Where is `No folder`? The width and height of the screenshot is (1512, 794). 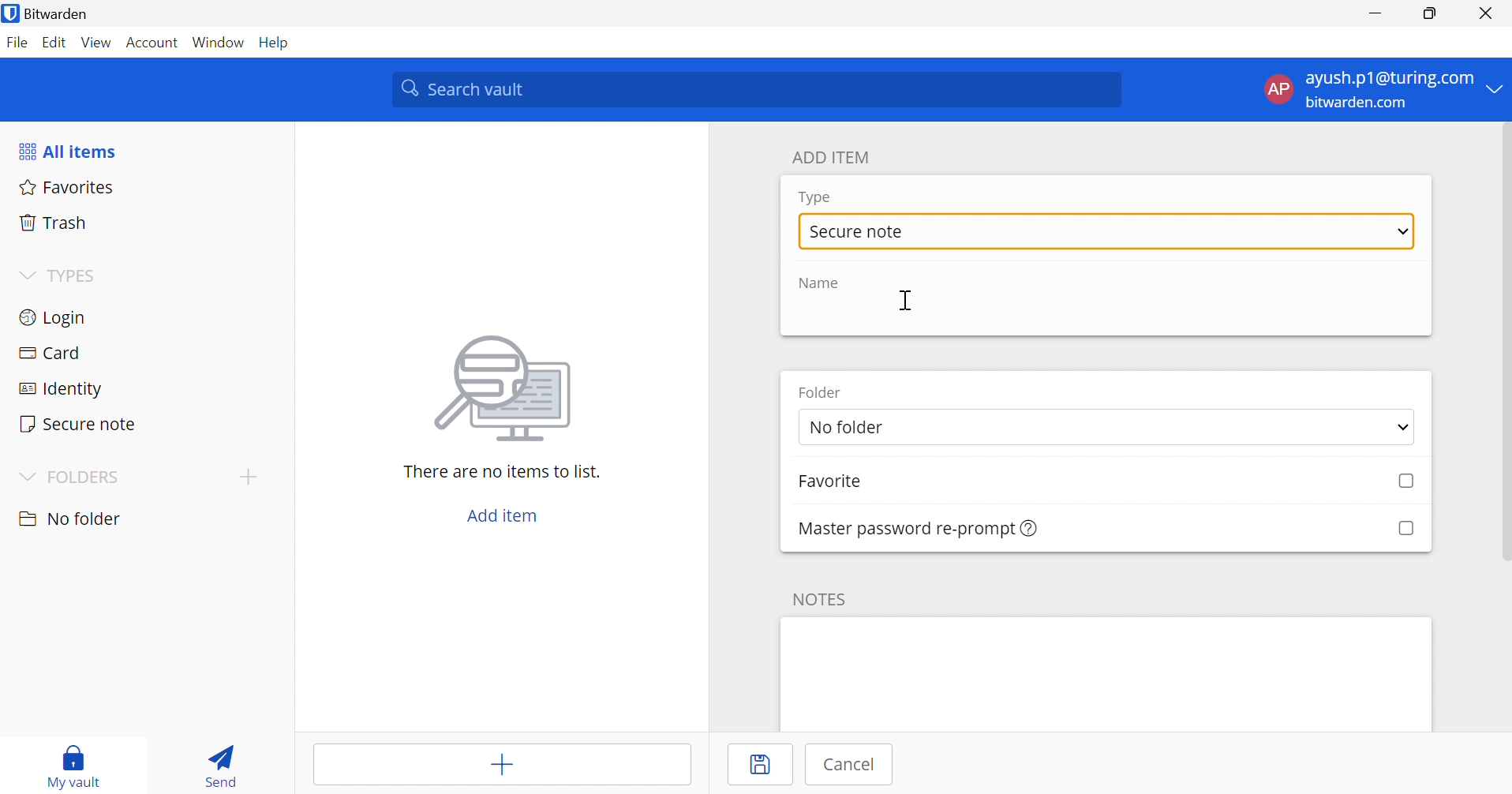 No folder is located at coordinates (919, 429).